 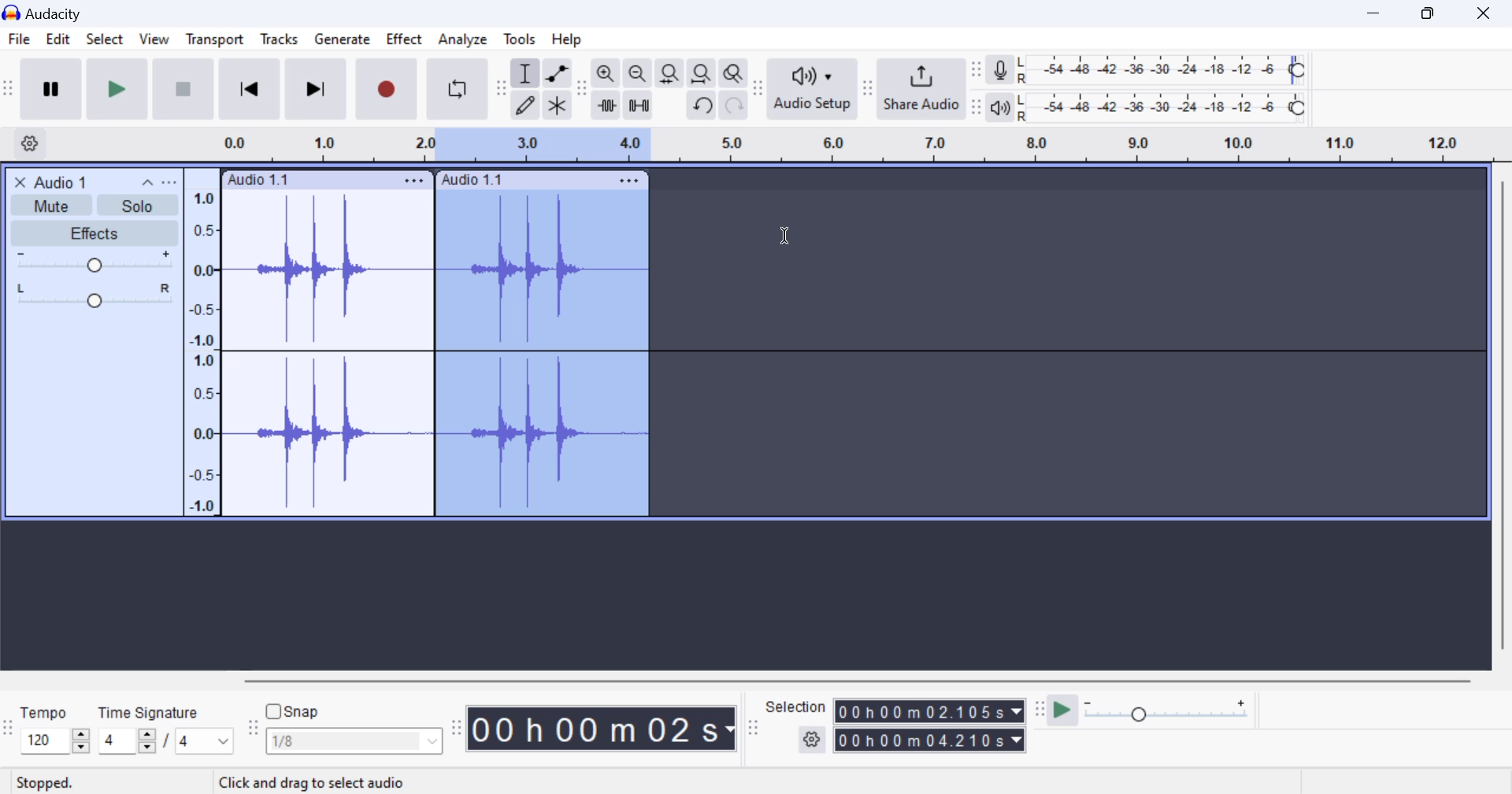 What do you see at coordinates (249, 90) in the screenshot?
I see `Skip to Beginning` at bounding box center [249, 90].